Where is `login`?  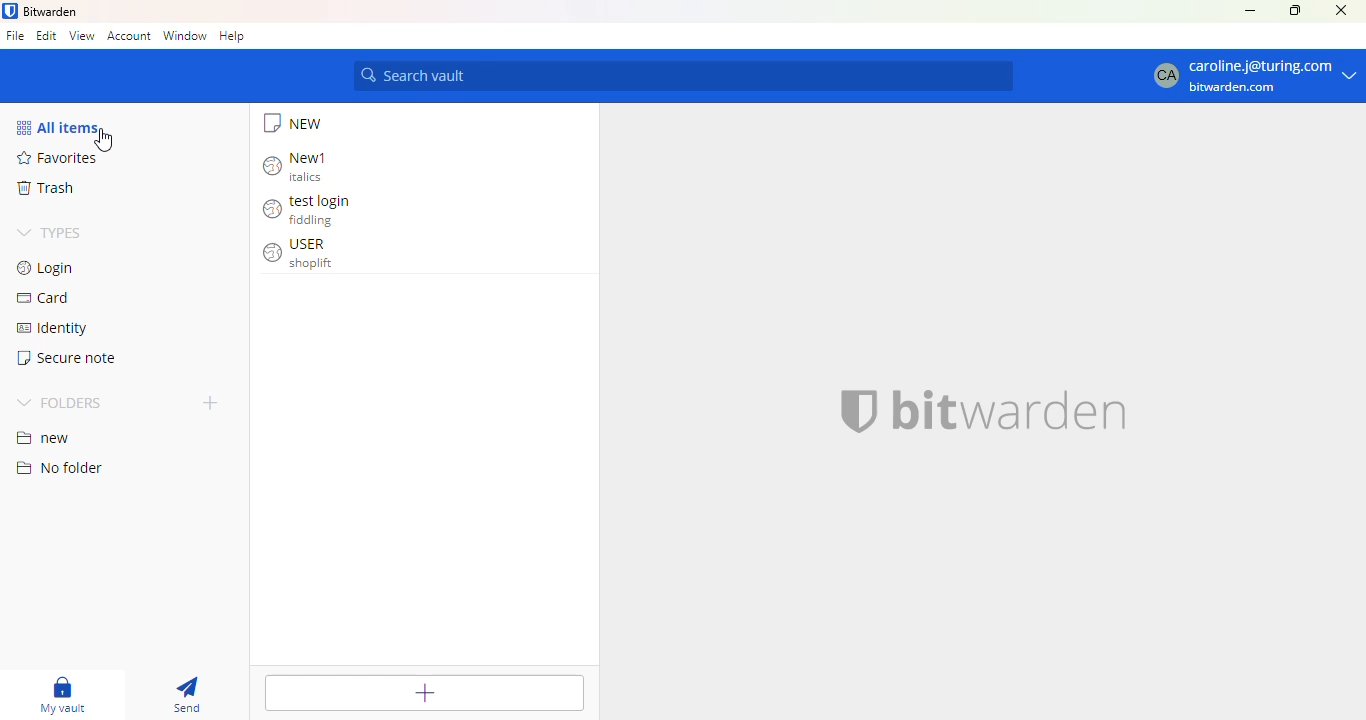
login is located at coordinates (47, 268).